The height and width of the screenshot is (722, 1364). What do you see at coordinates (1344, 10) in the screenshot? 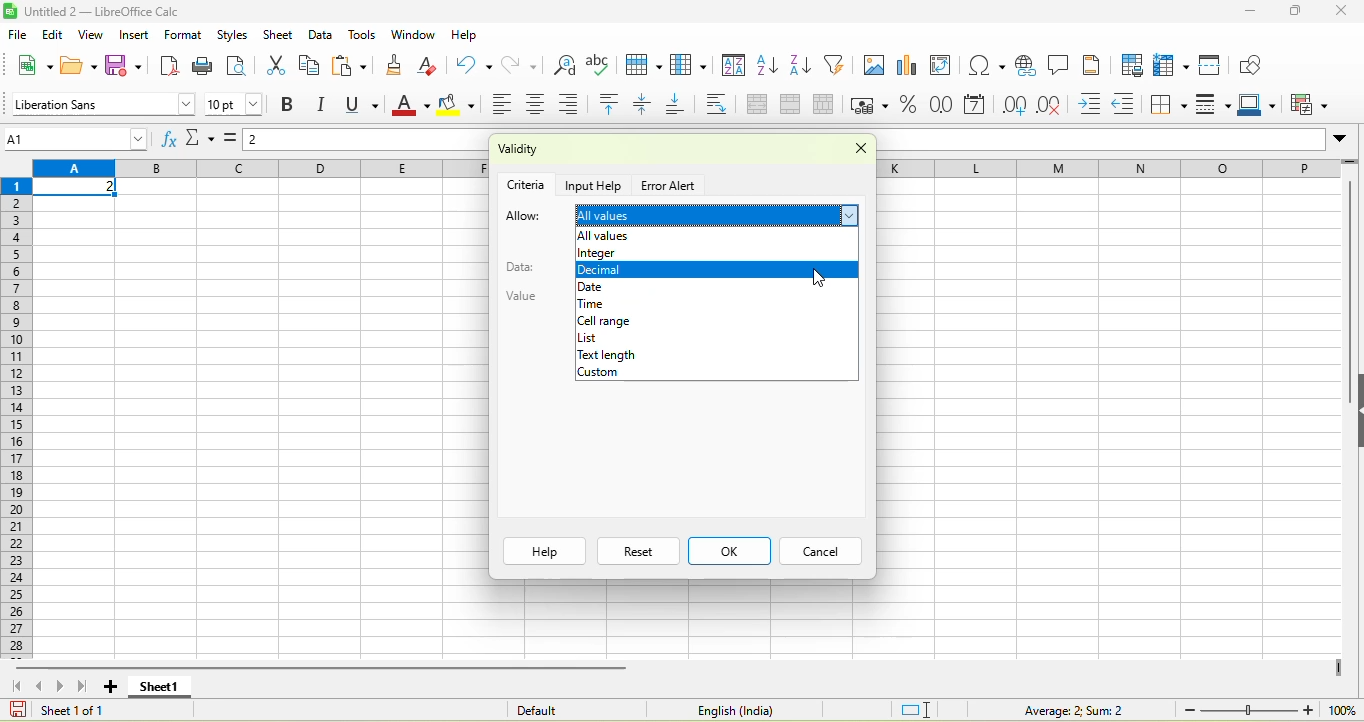
I see `close` at bounding box center [1344, 10].